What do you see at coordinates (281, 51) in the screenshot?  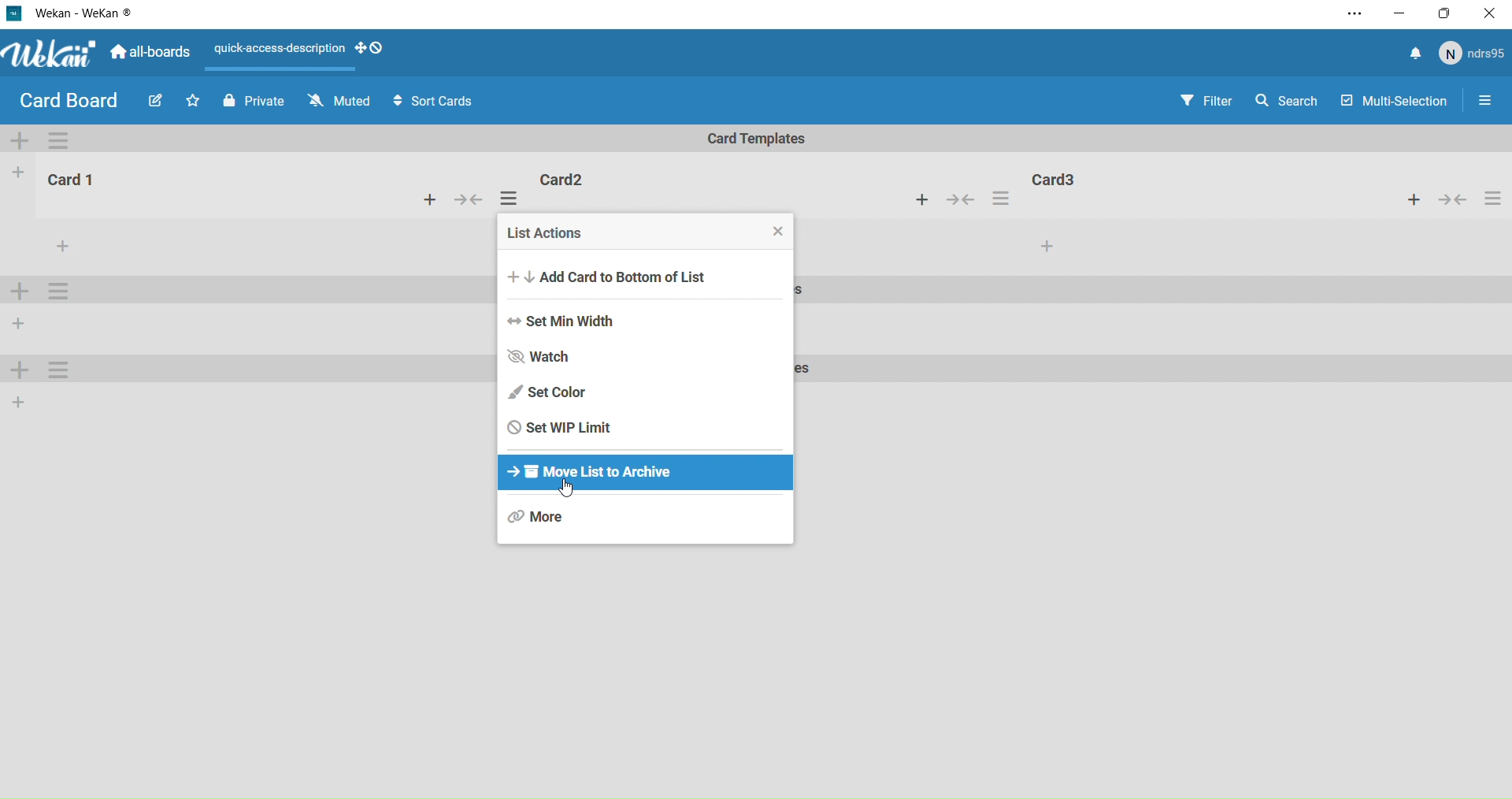 I see `Actions` at bounding box center [281, 51].